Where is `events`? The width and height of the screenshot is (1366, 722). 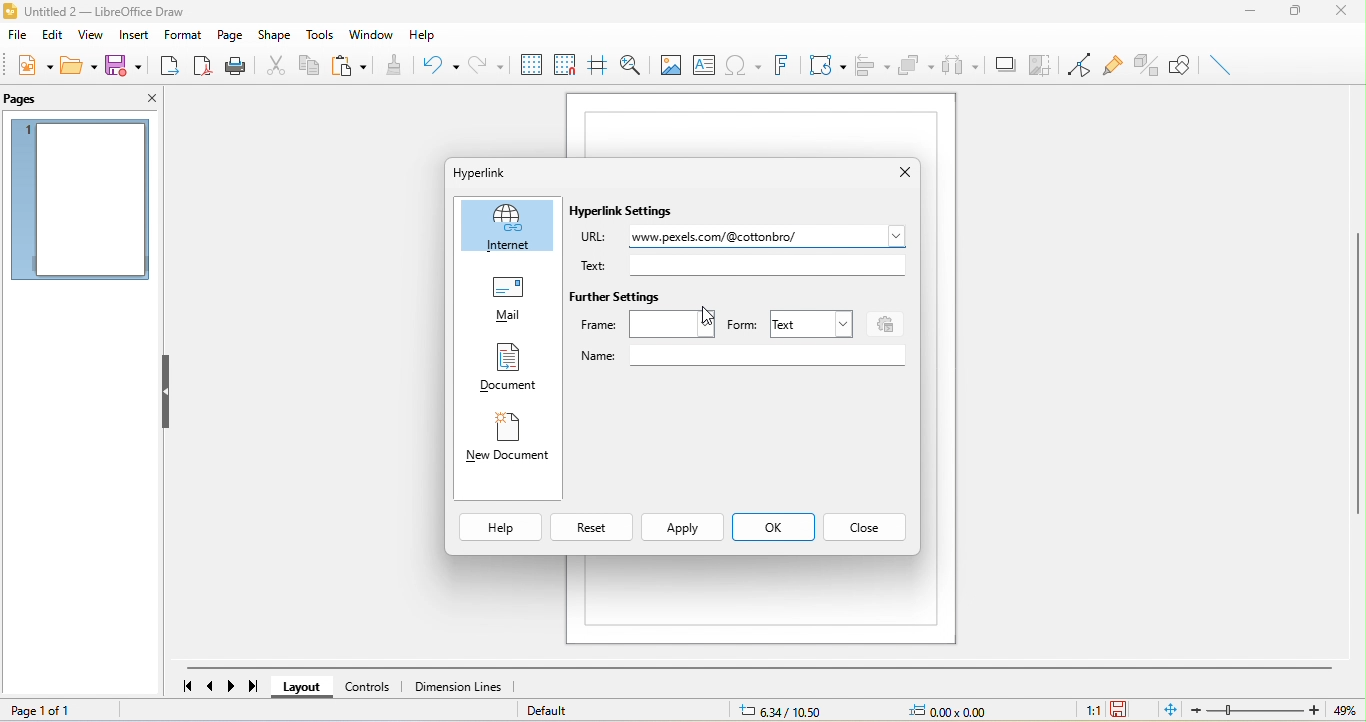
events is located at coordinates (887, 324).